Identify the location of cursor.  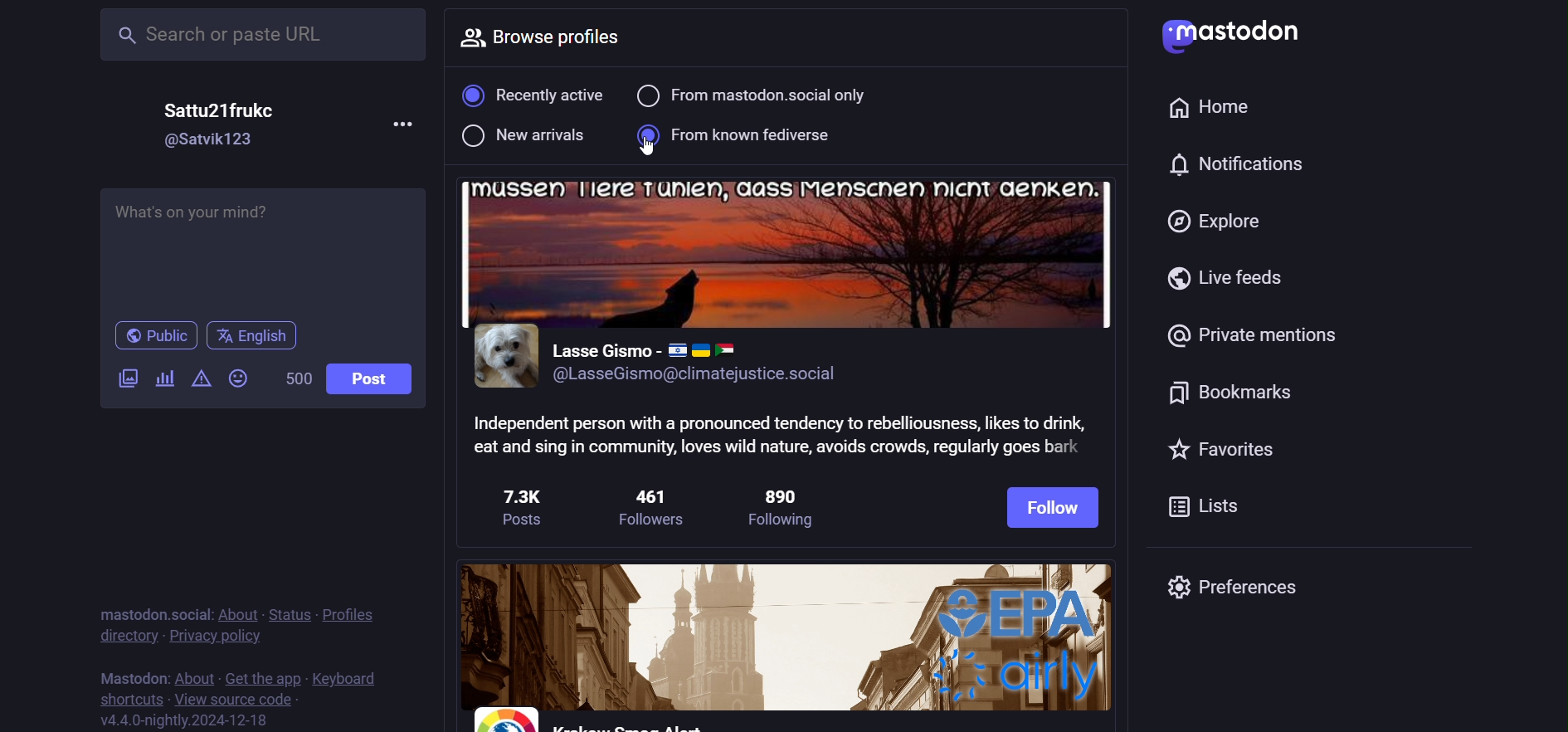
(658, 150).